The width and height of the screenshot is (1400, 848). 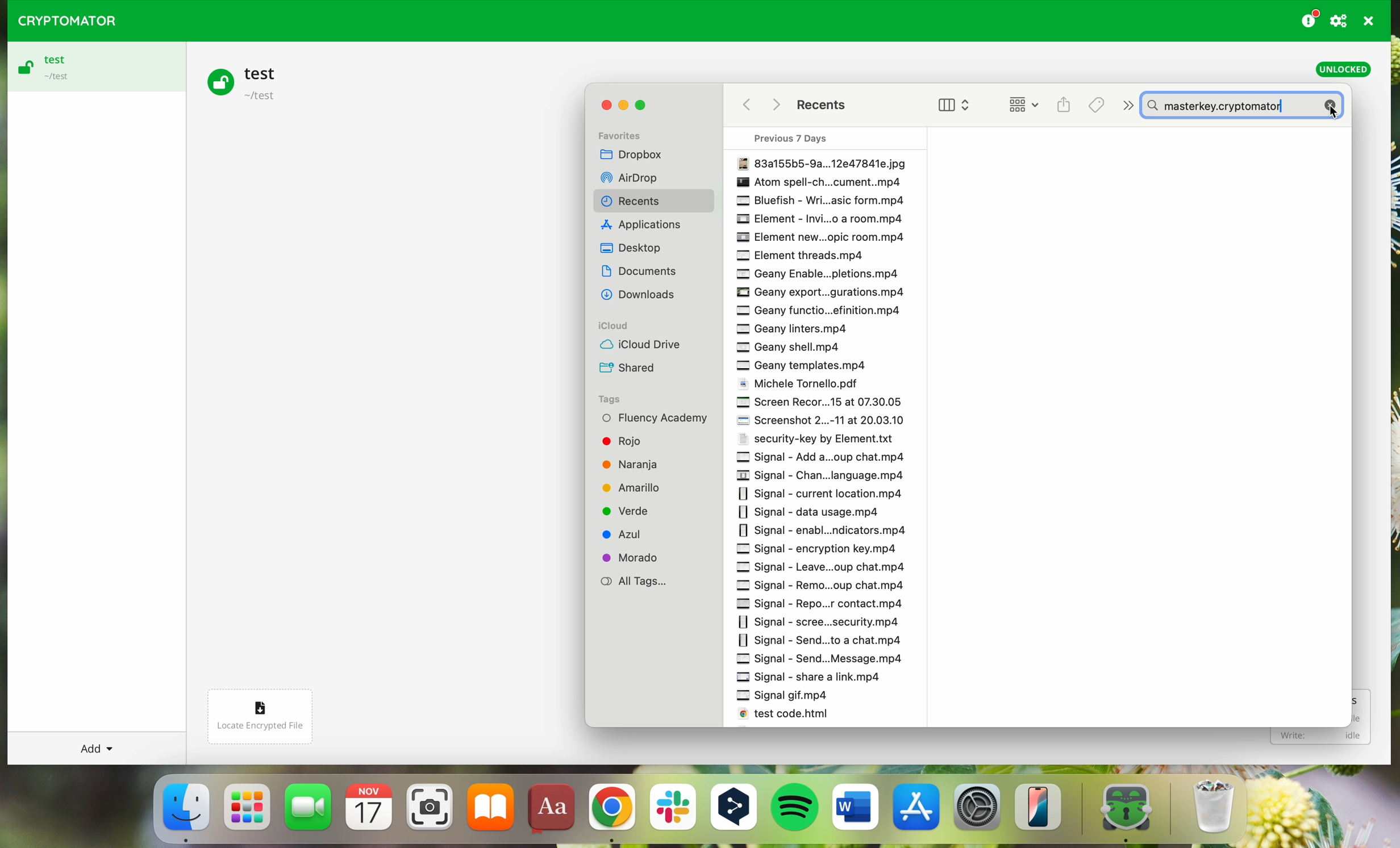 What do you see at coordinates (94, 748) in the screenshot?
I see `add button` at bounding box center [94, 748].